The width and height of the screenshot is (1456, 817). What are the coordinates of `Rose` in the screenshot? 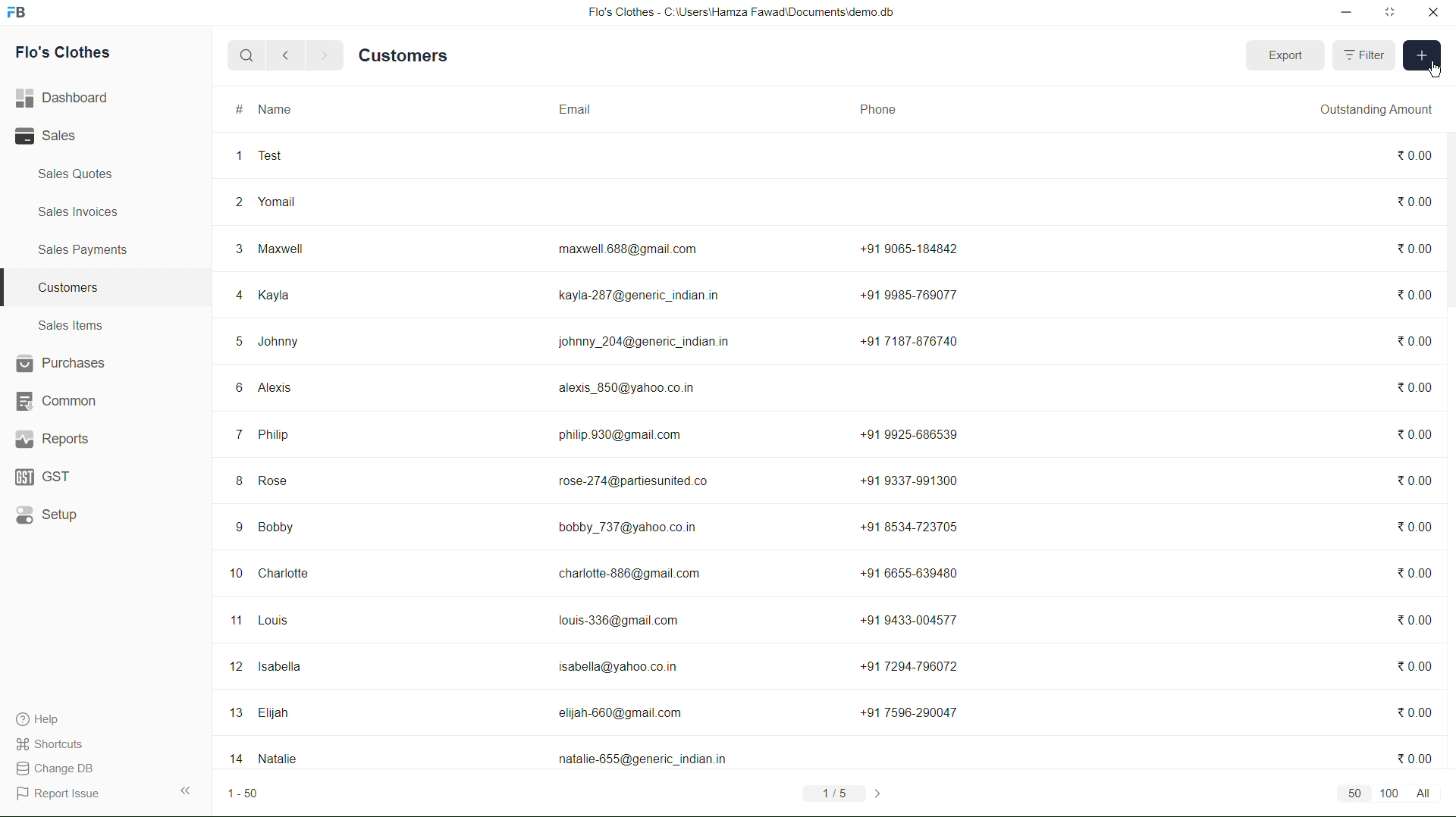 It's located at (275, 481).